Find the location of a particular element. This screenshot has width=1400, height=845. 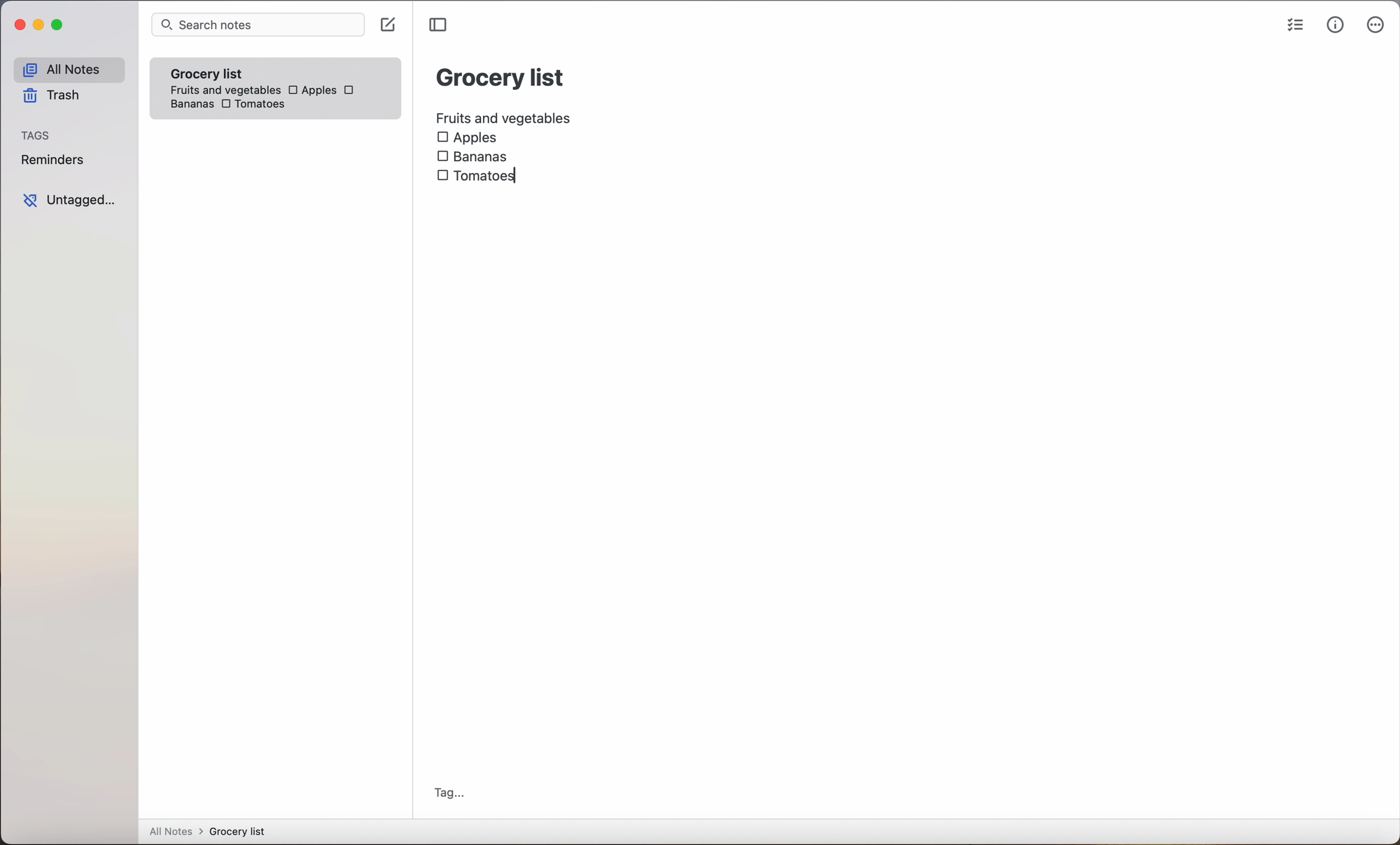

checklist is located at coordinates (1293, 27).